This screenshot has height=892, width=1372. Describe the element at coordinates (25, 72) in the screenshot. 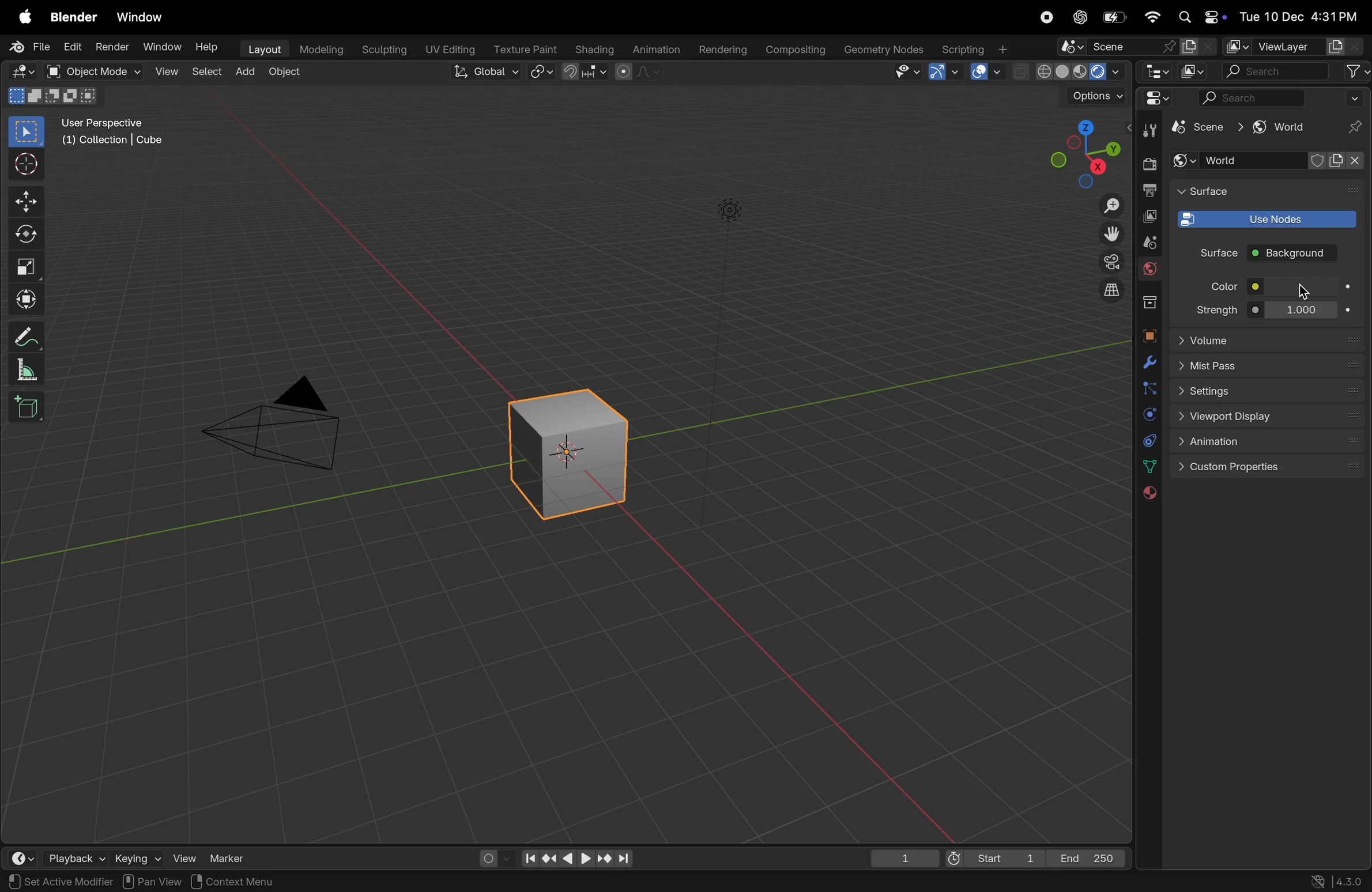

I see `editor type` at that location.